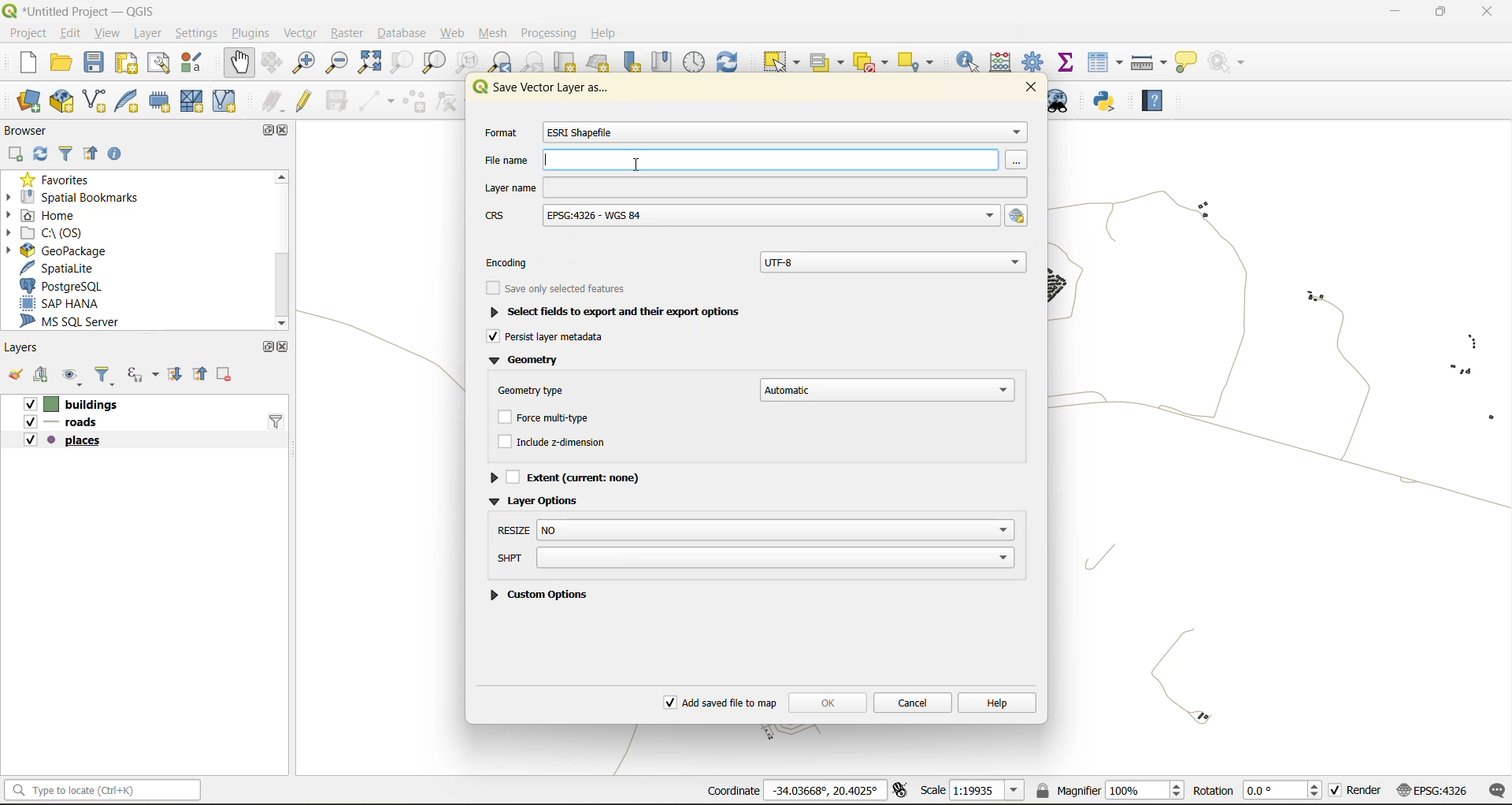 This screenshot has height=805, width=1512. What do you see at coordinates (532, 361) in the screenshot?
I see `Geometry` at bounding box center [532, 361].